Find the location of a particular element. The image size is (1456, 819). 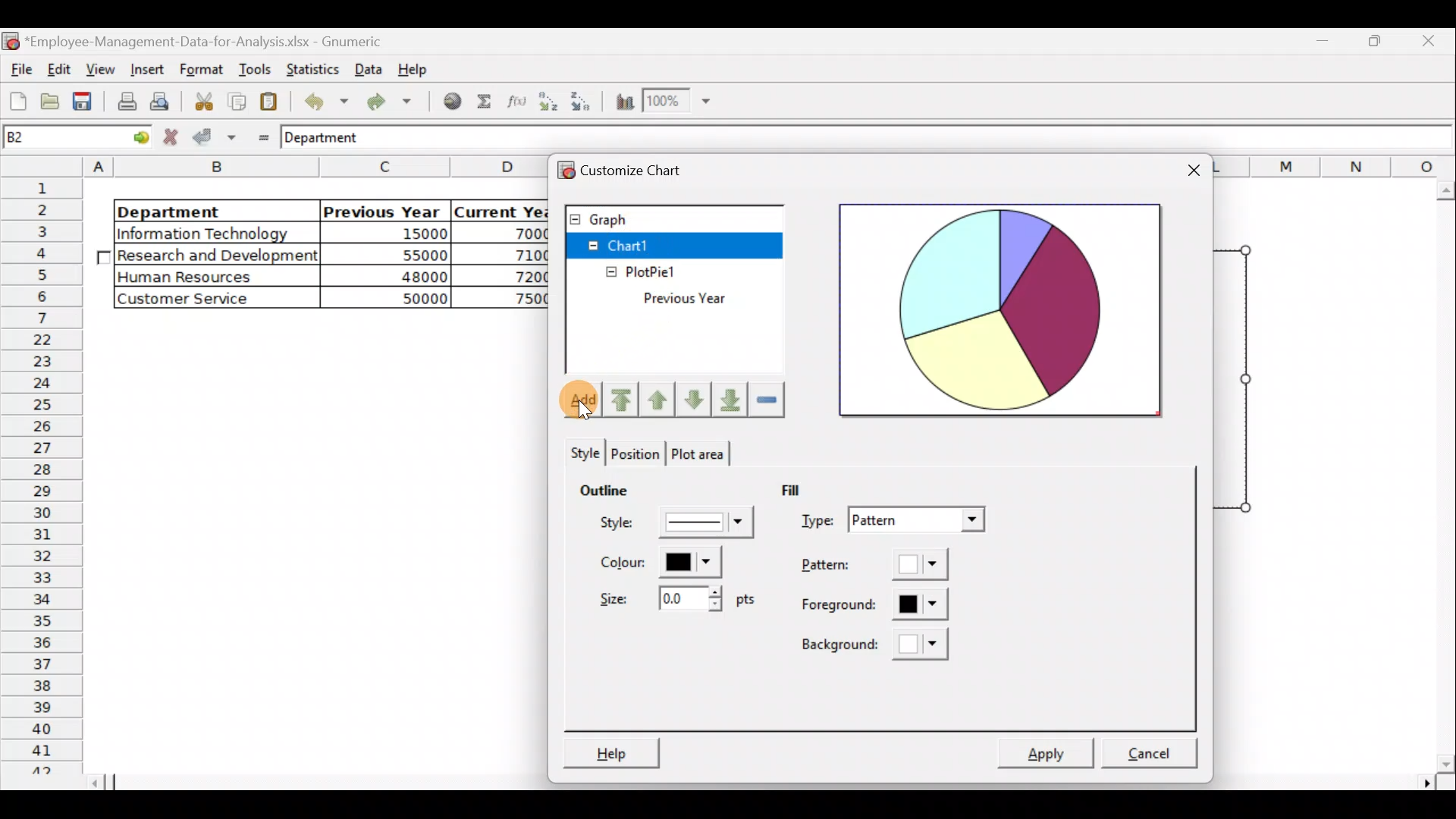

Position is located at coordinates (637, 453).